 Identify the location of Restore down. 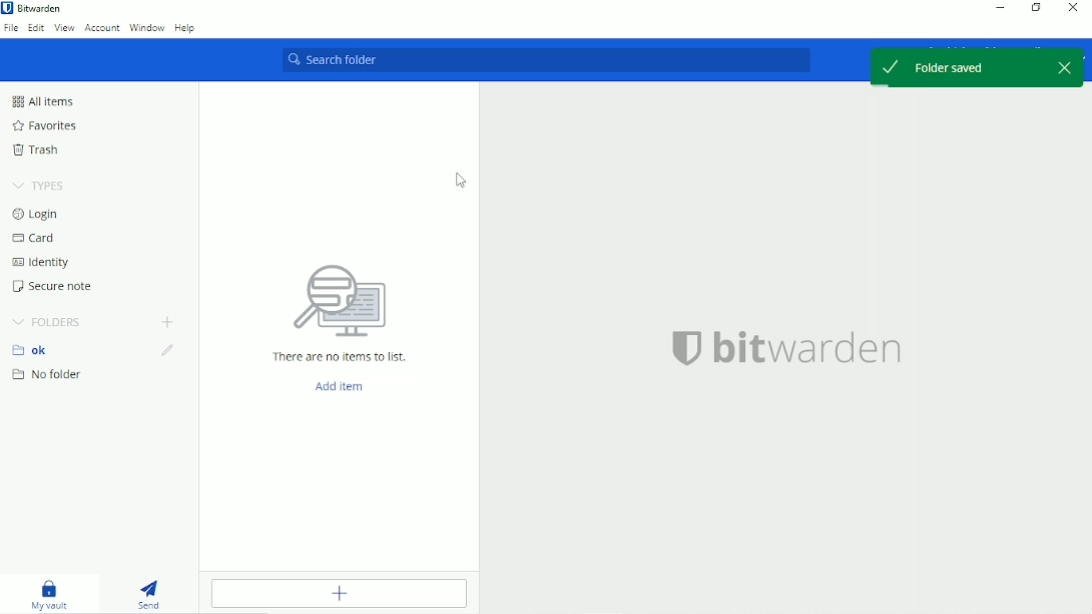
(1035, 9).